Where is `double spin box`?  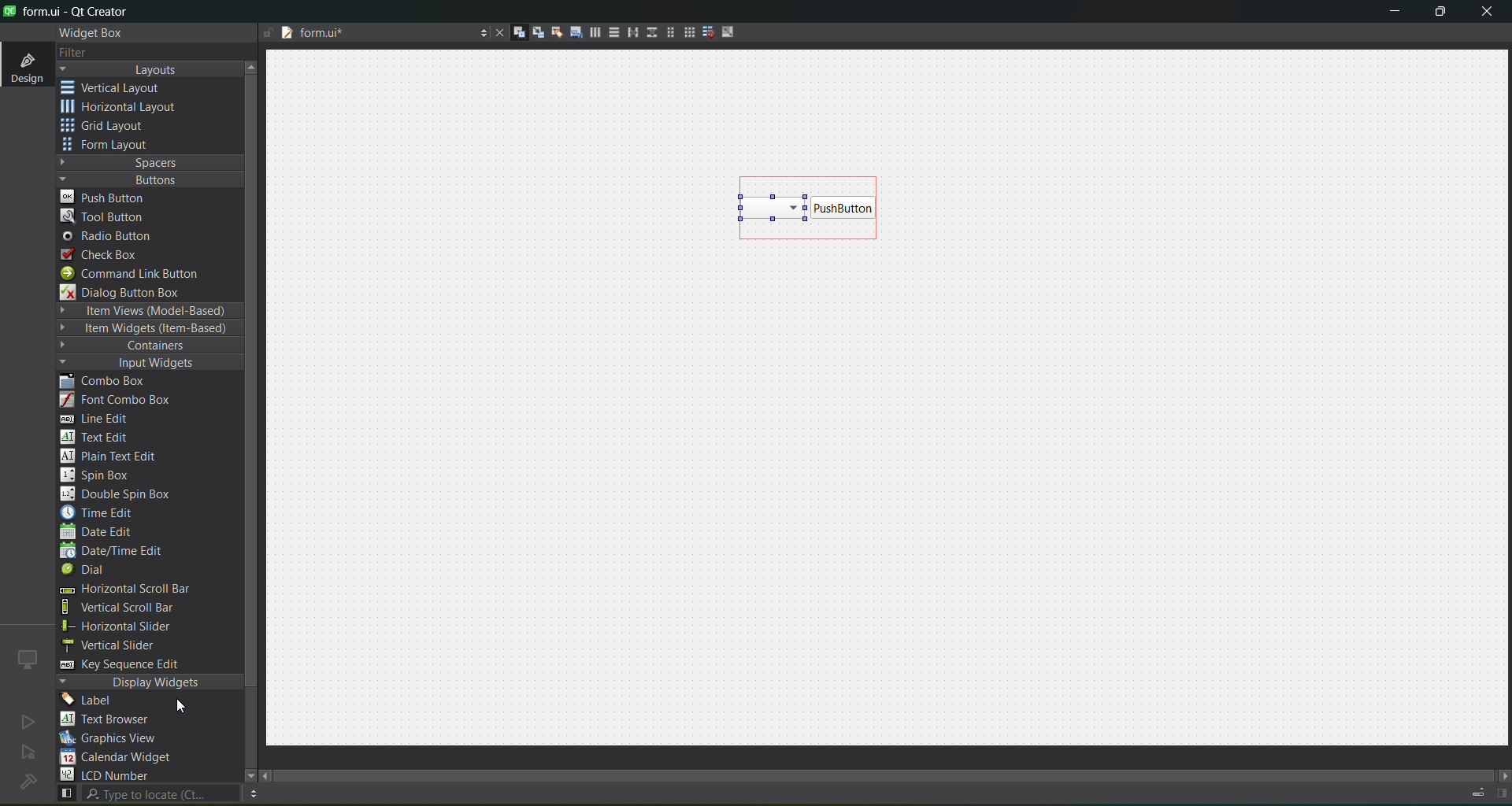
double spin box is located at coordinates (127, 494).